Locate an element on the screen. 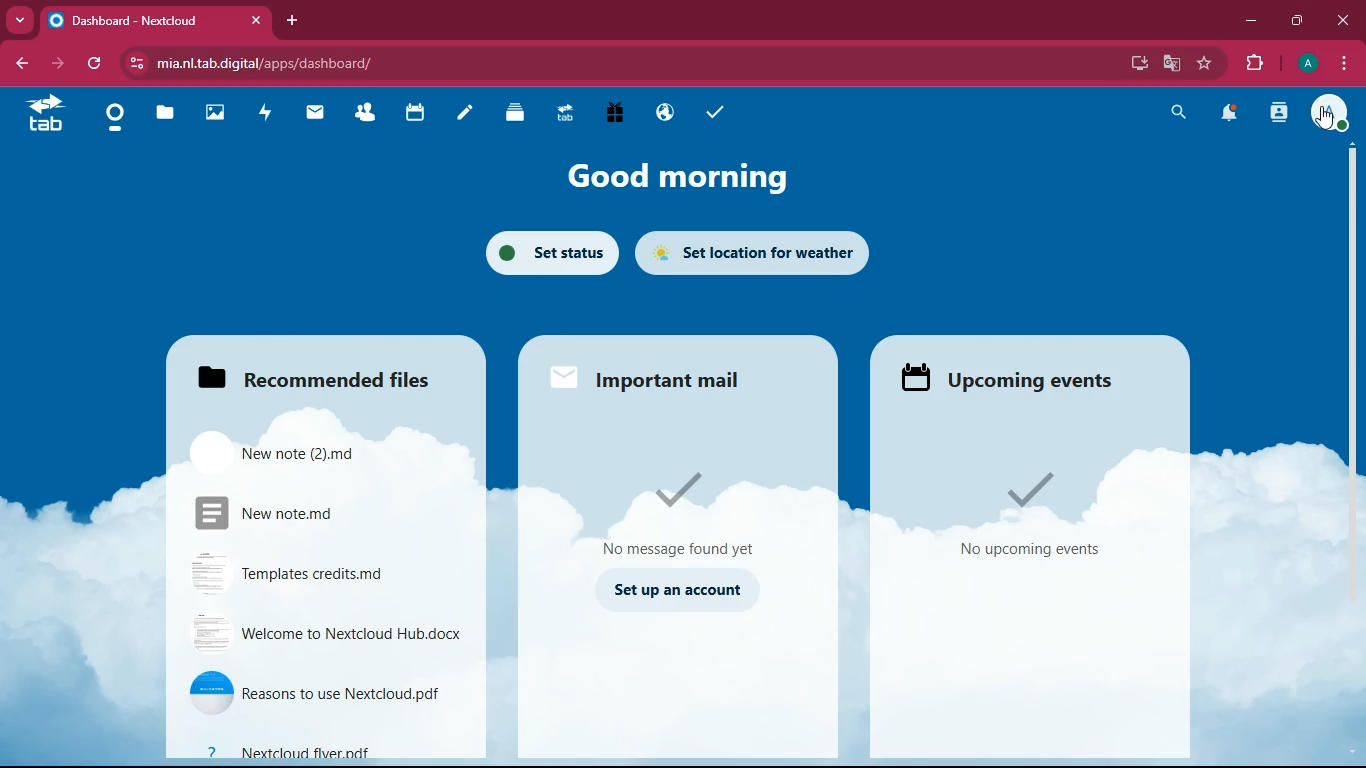  set up is located at coordinates (683, 592).